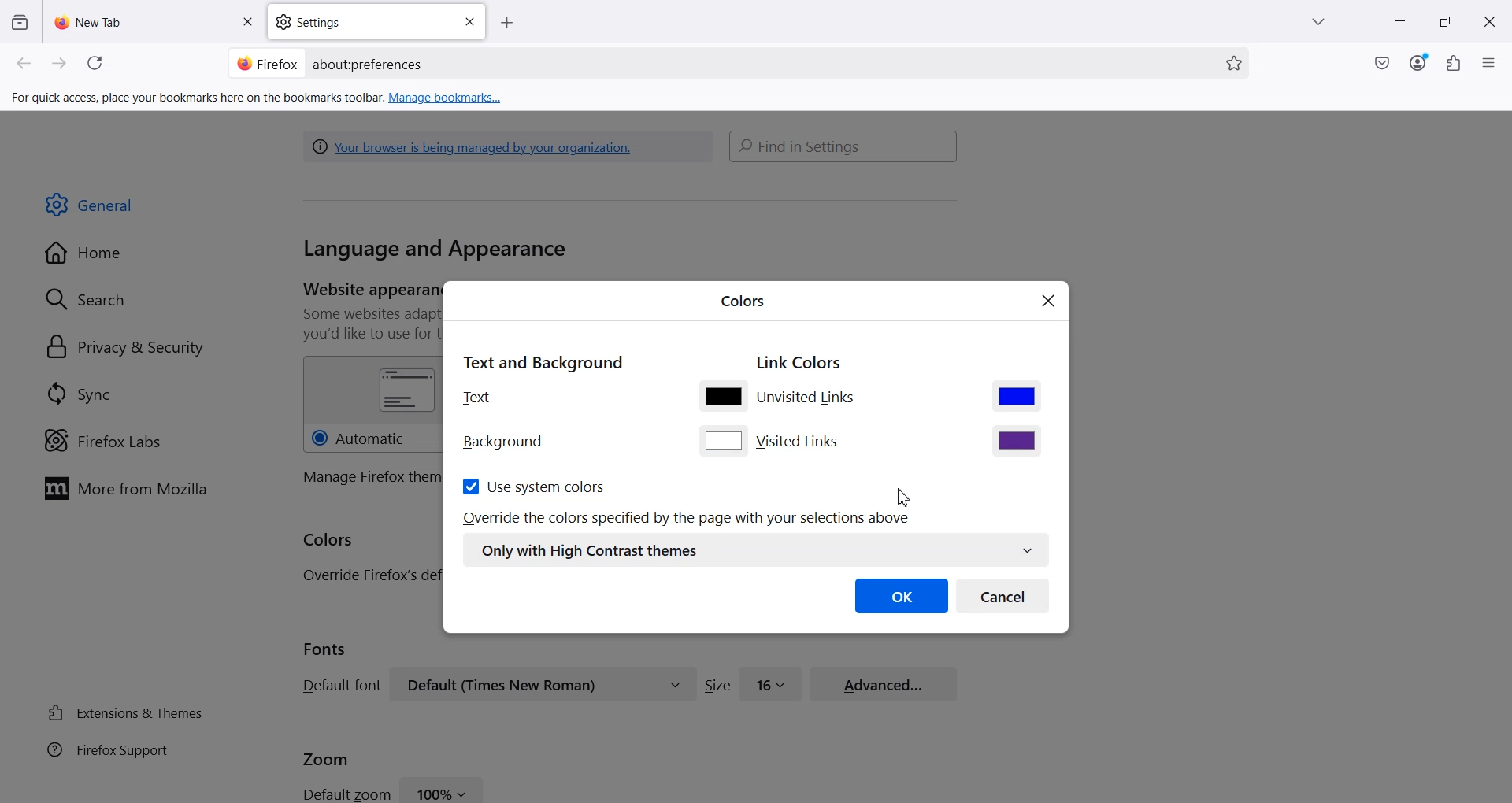  I want to click on Setting Tab, so click(378, 22).